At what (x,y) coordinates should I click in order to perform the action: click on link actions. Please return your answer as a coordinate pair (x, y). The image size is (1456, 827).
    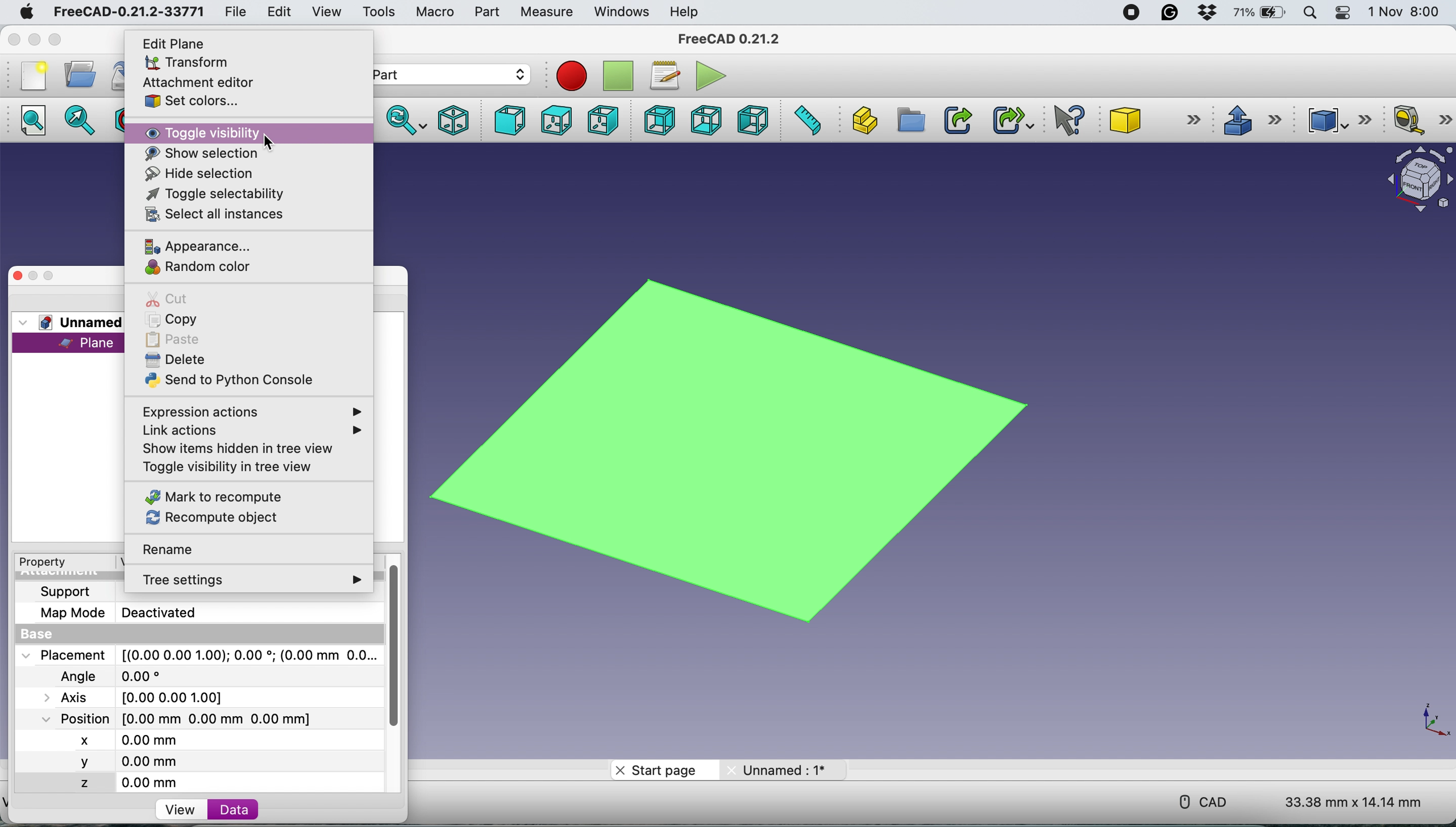
    Looking at the image, I should click on (252, 429).